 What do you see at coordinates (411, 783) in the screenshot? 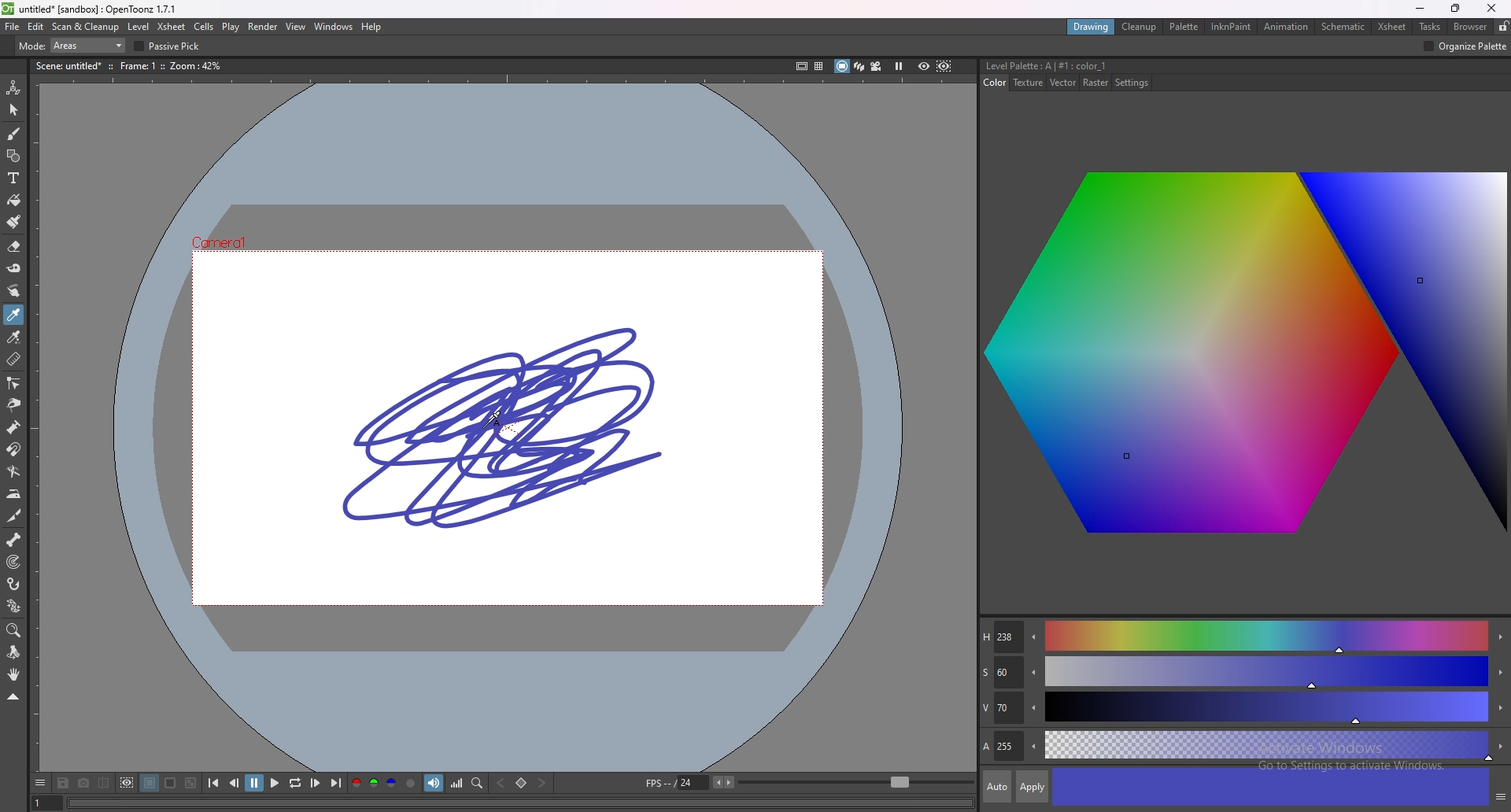
I see `alpha channel` at bounding box center [411, 783].